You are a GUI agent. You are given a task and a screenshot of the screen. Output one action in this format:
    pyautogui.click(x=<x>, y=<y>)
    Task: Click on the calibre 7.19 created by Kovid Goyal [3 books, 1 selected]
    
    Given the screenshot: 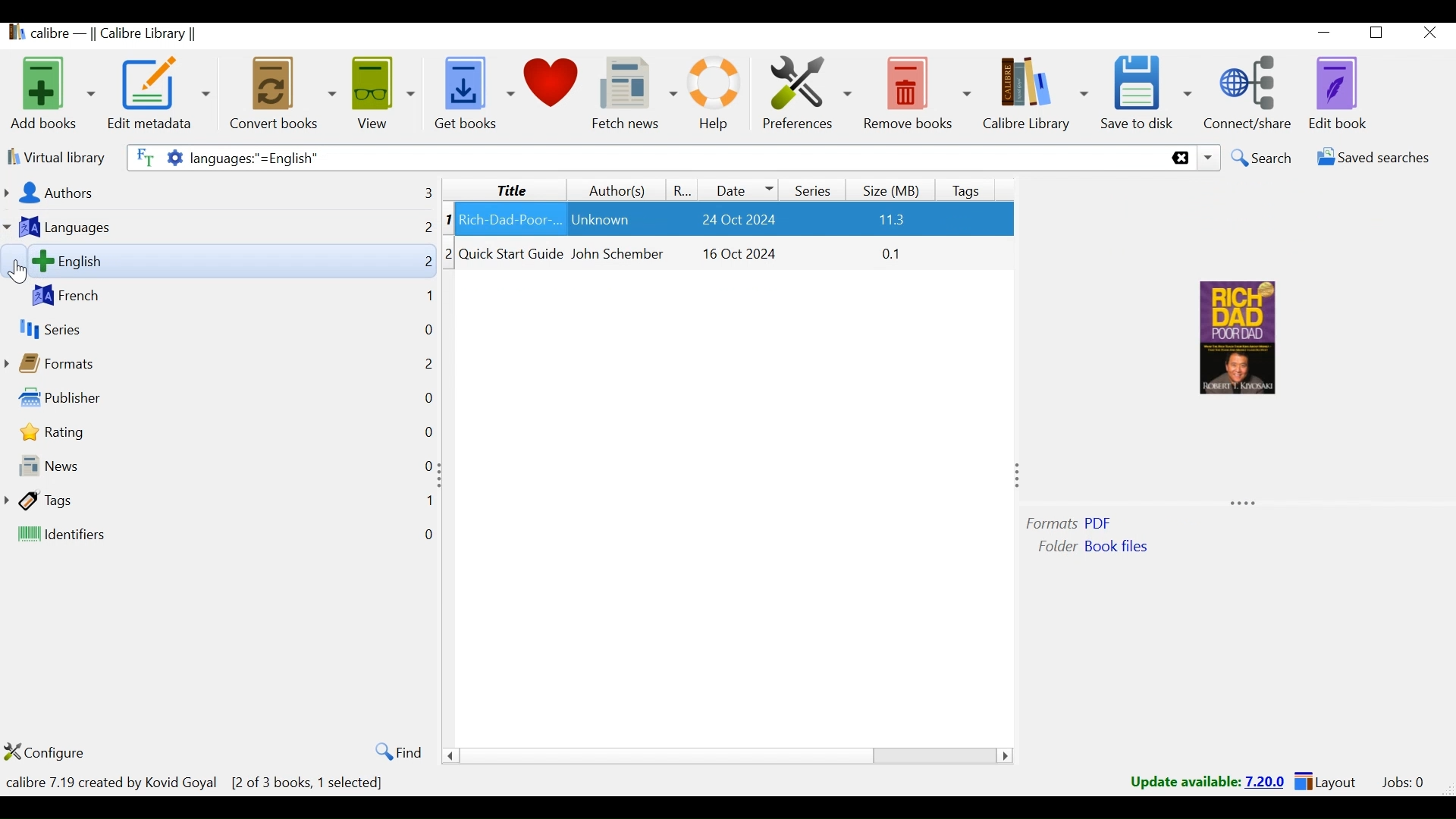 What is the action you would take?
    pyautogui.click(x=199, y=783)
    